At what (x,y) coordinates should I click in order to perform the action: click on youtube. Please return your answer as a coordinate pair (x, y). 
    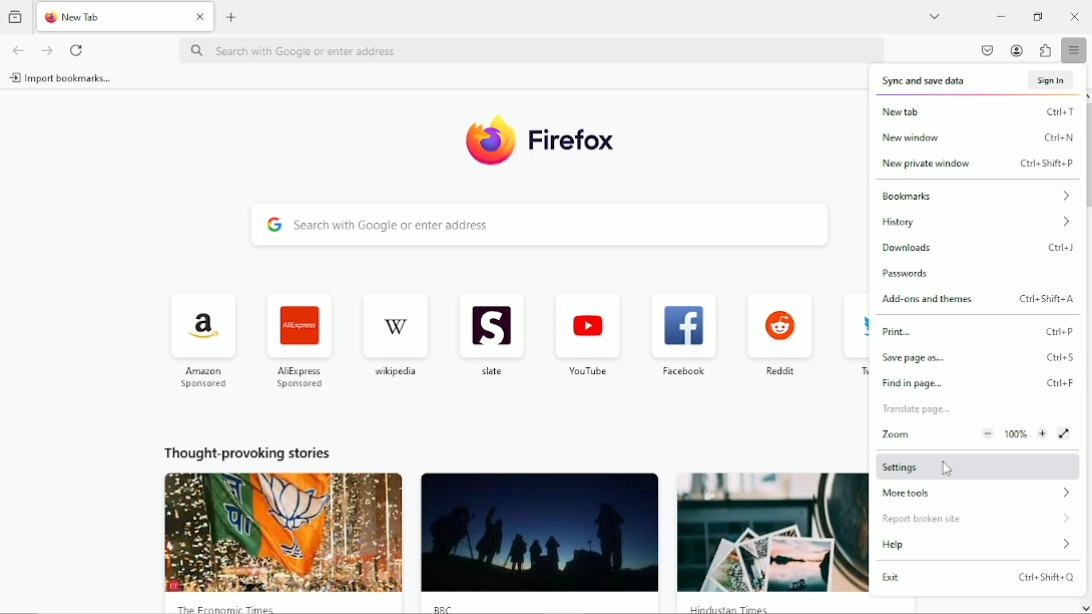
    Looking at the image, I should click on (589, 319).